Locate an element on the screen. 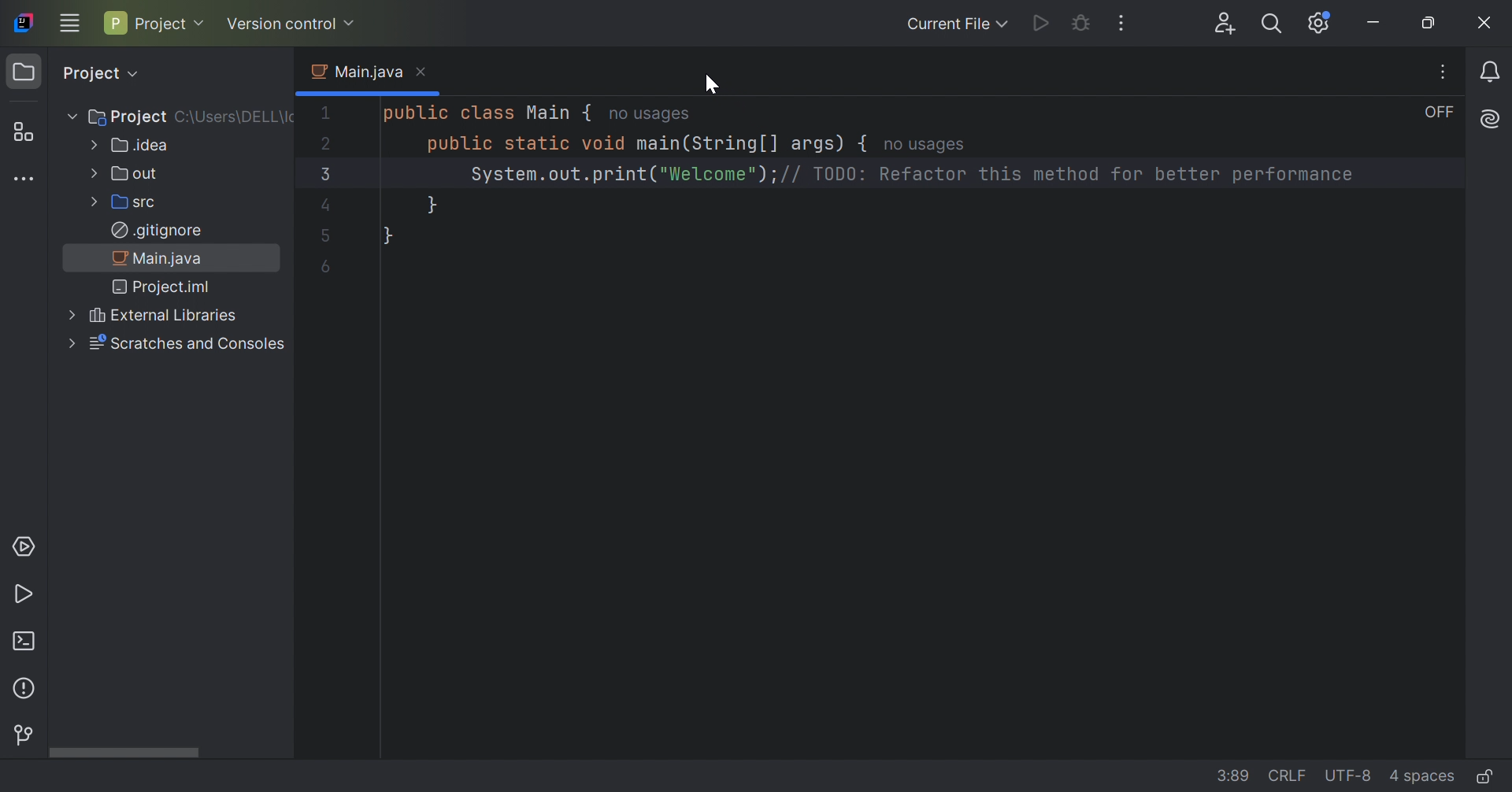 Image resolution: width=1512 pixels, height=792 pixels. 5 is located at coordinates (325, 238).